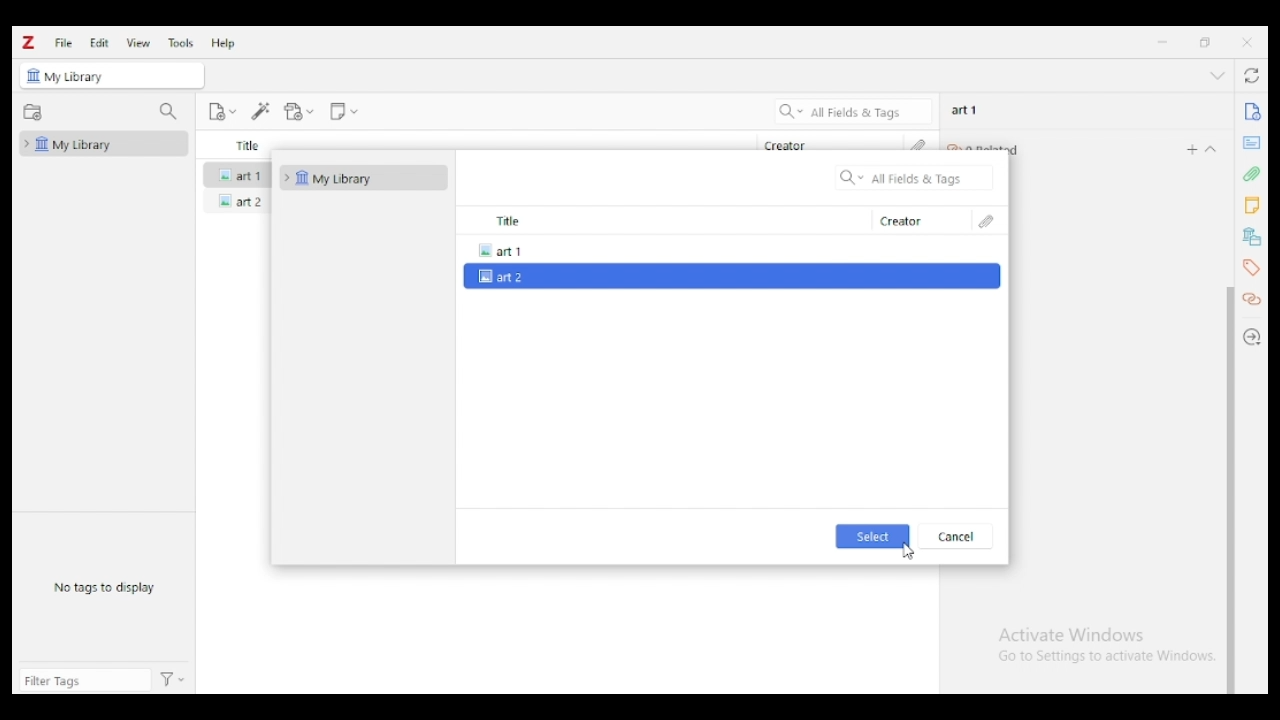 This screenshot has height=720, width=1280. Describe the element at coordinates (1206, 43) in the screenshot. I see `maximize` at that location.